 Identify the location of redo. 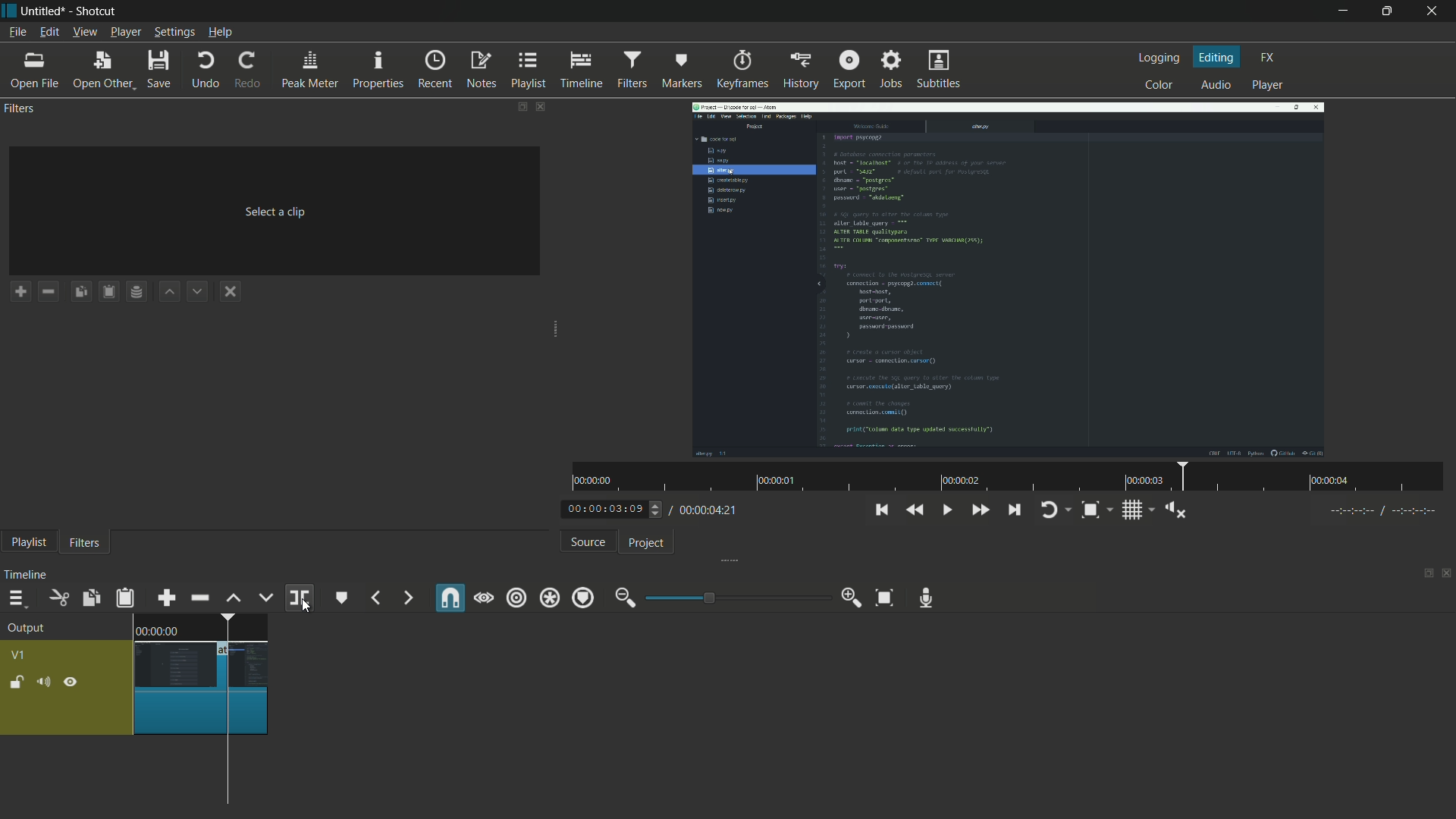
(248, 71).